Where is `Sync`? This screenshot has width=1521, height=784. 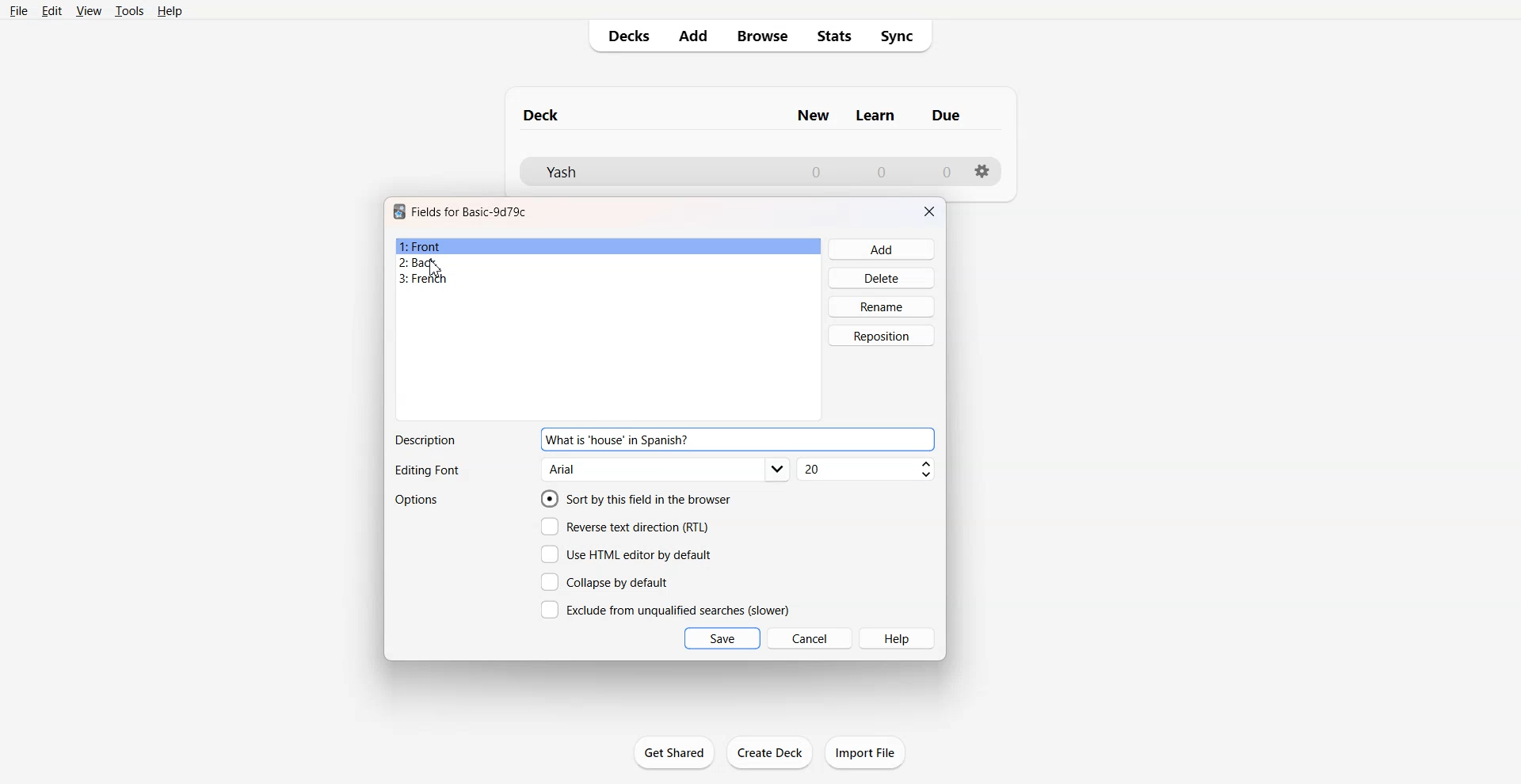 Sync is located at coordinates (902, 36).